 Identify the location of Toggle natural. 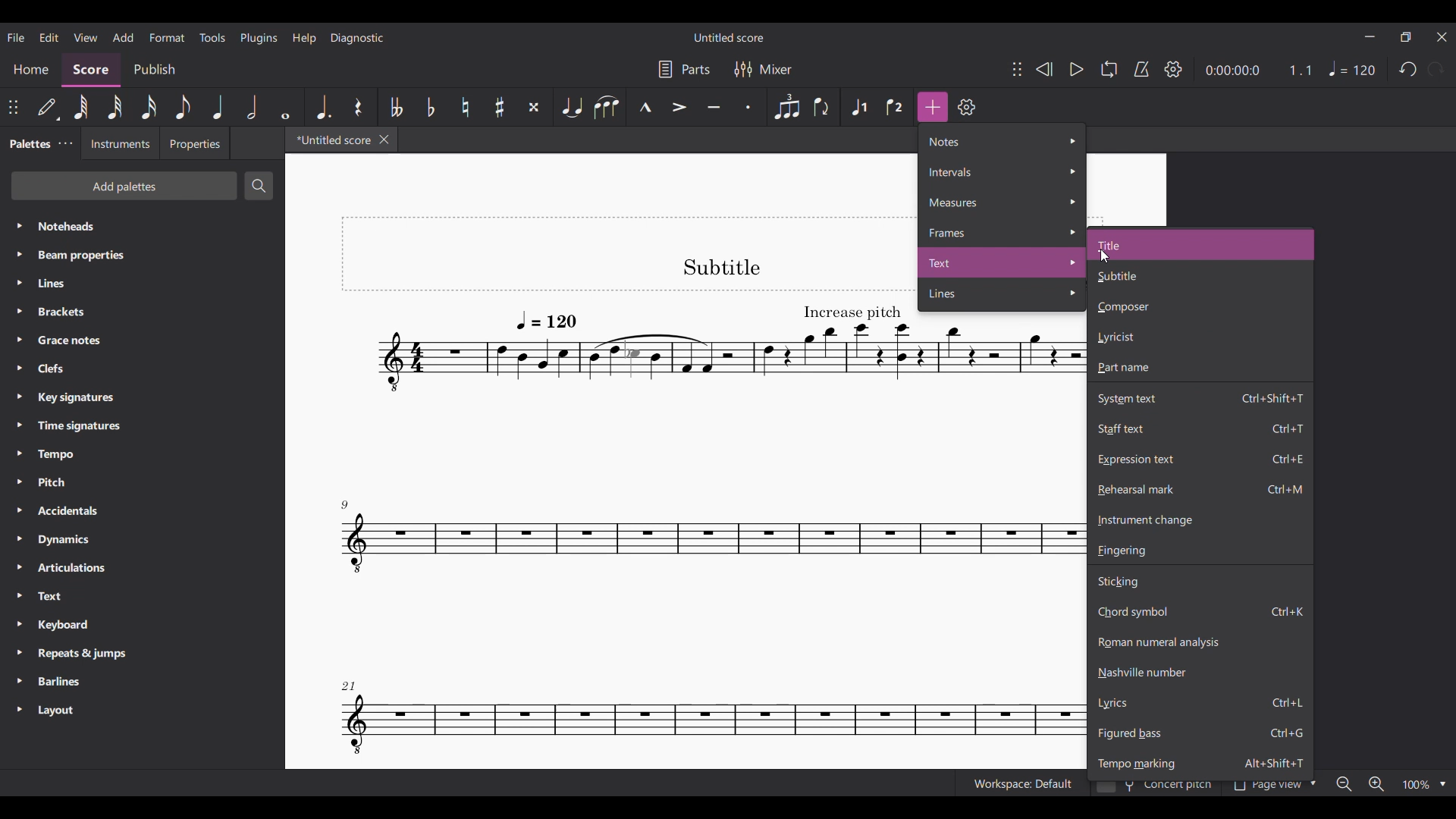
(465, 107).